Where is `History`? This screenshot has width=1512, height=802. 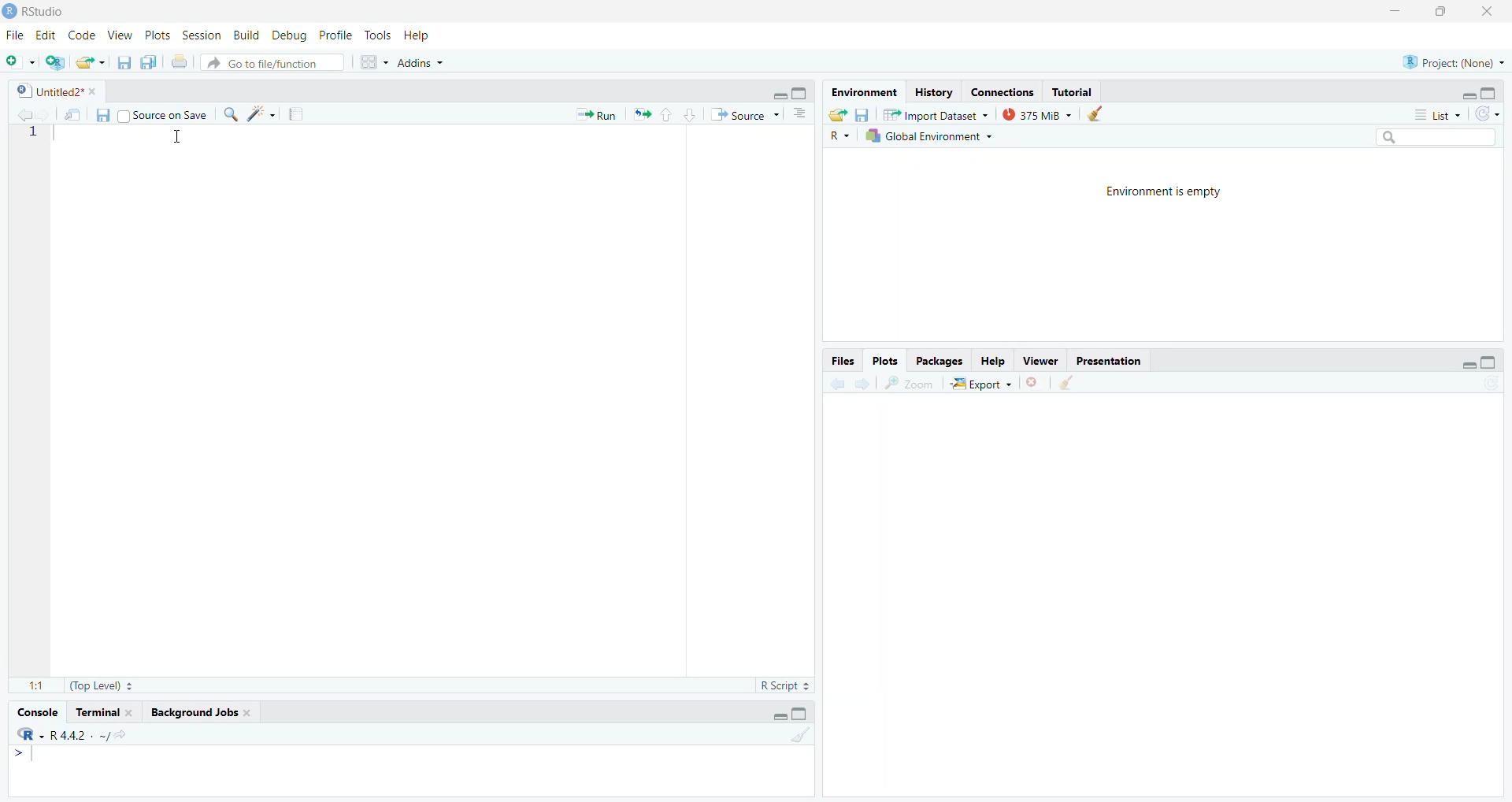
History is located at coordinates (932, 92).